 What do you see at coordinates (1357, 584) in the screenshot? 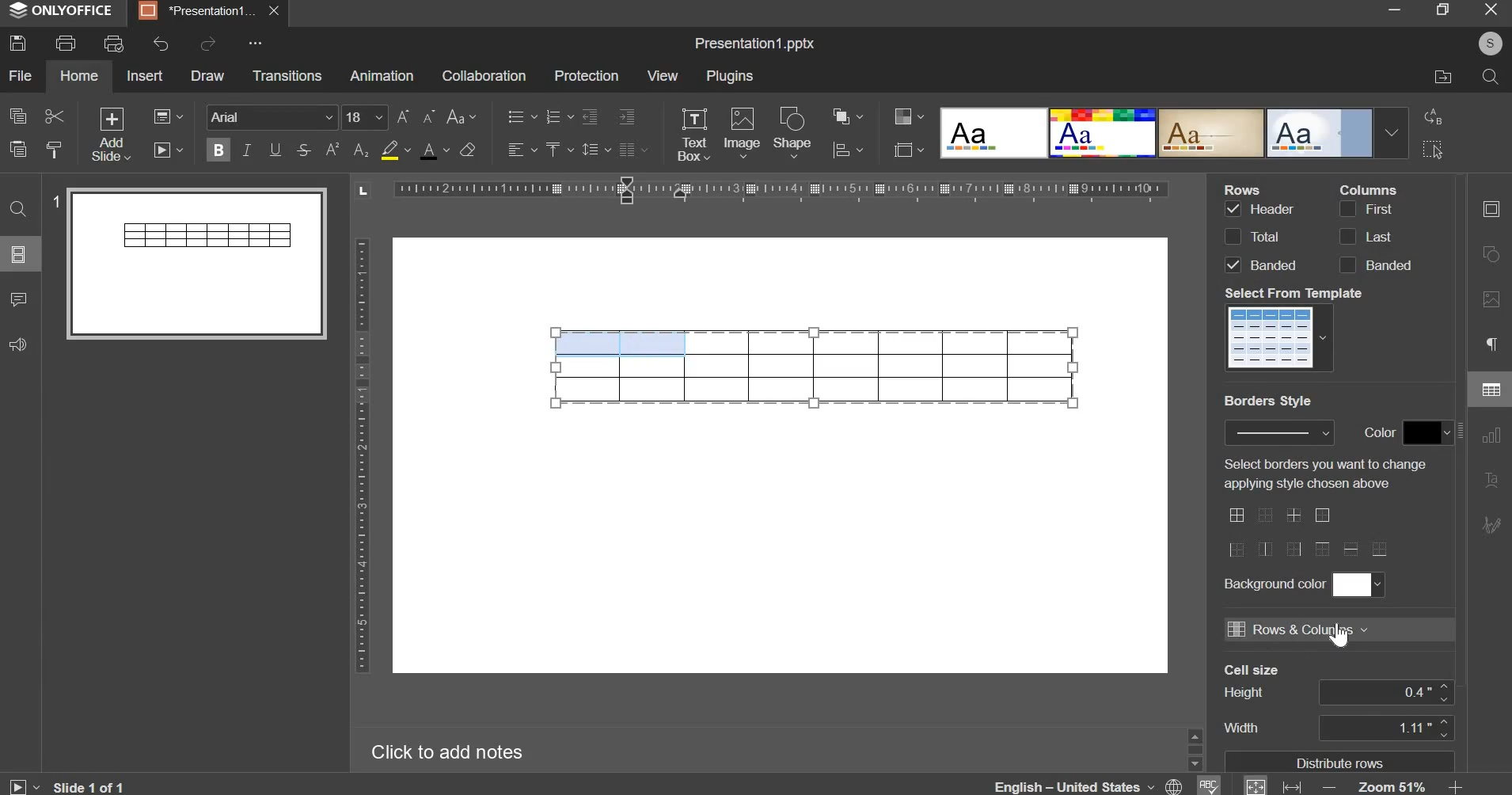
I see `background color` at bounding box center [1357, 584].